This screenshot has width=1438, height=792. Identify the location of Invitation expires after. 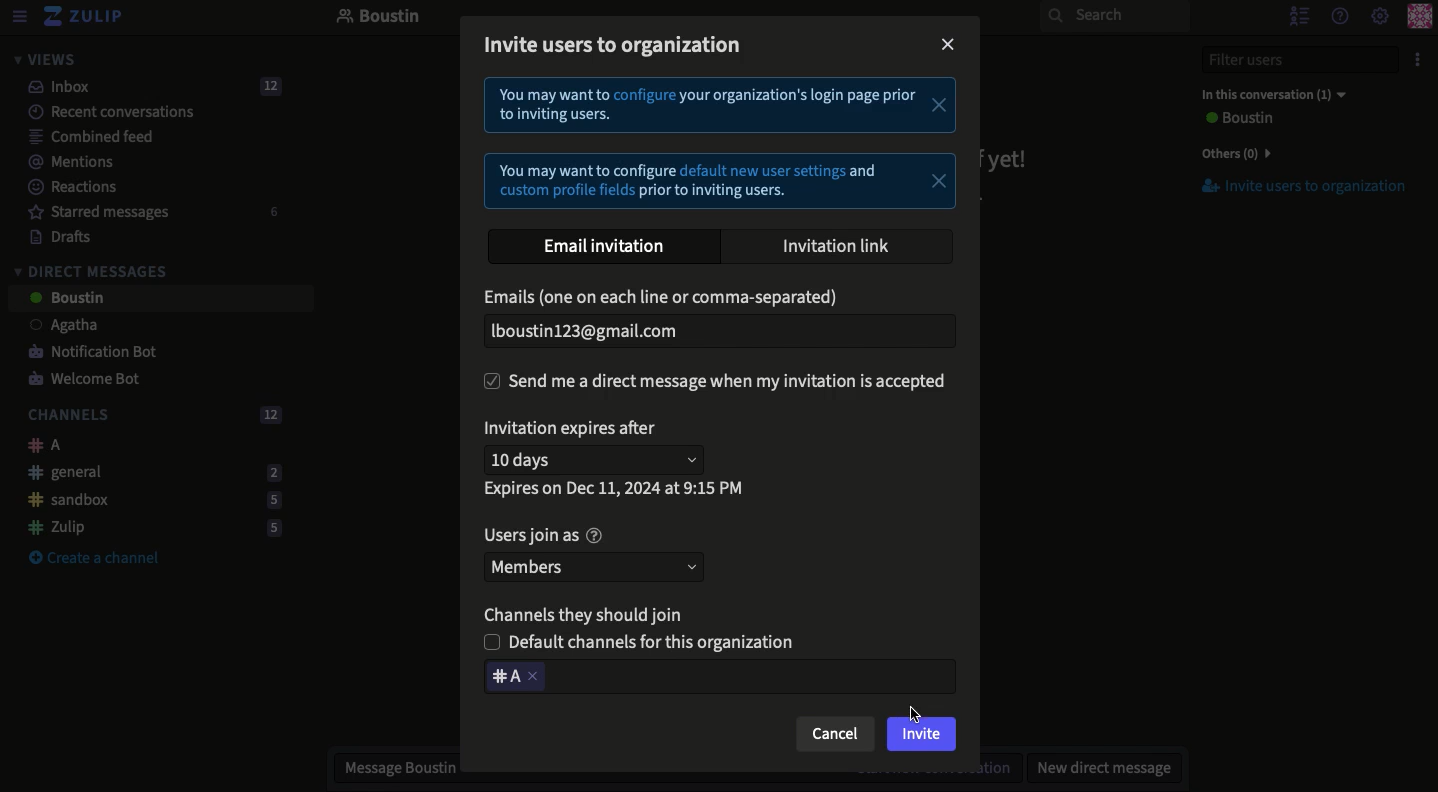
(575, 430).